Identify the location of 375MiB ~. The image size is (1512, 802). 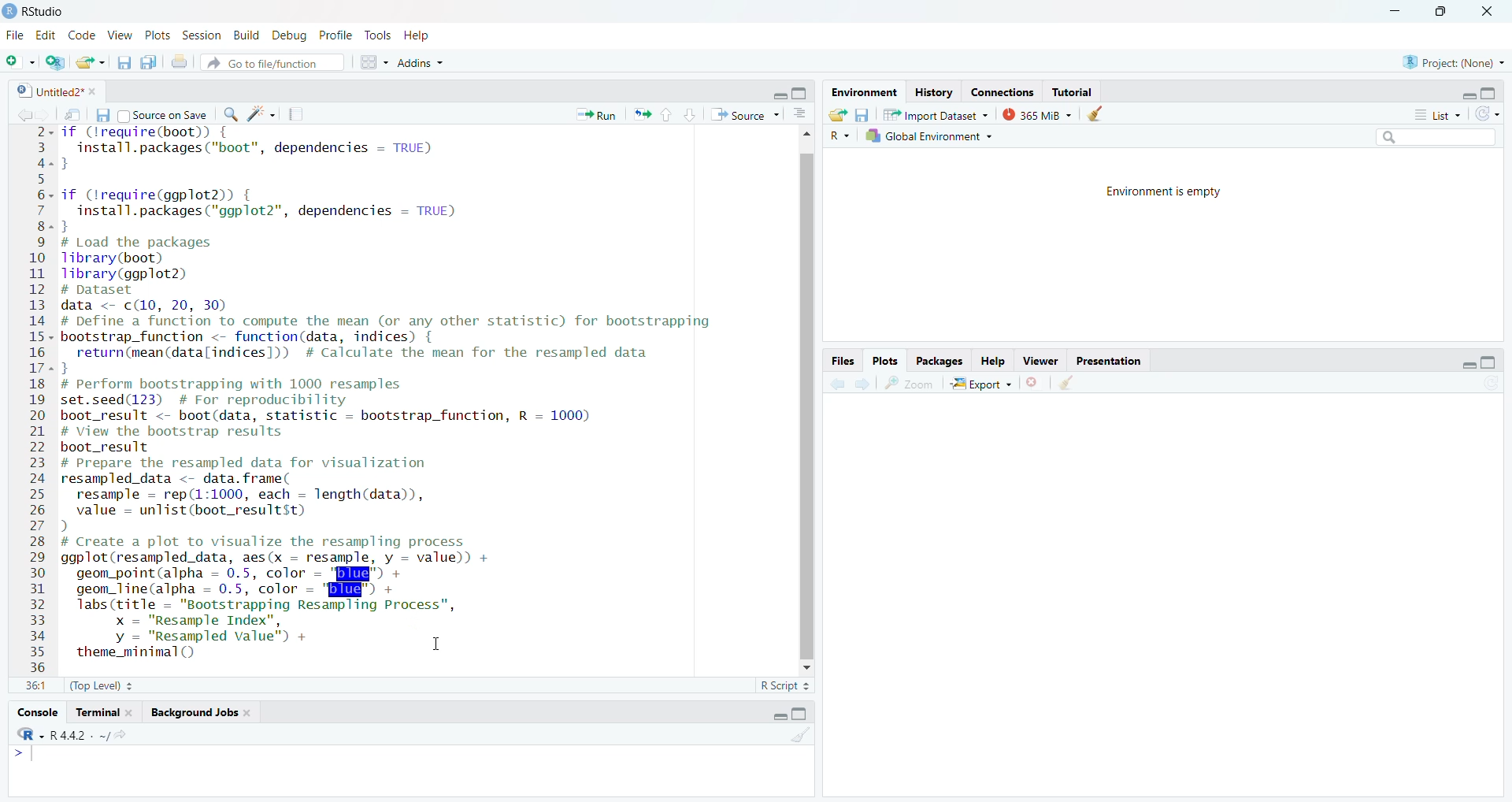
(1039, 114).